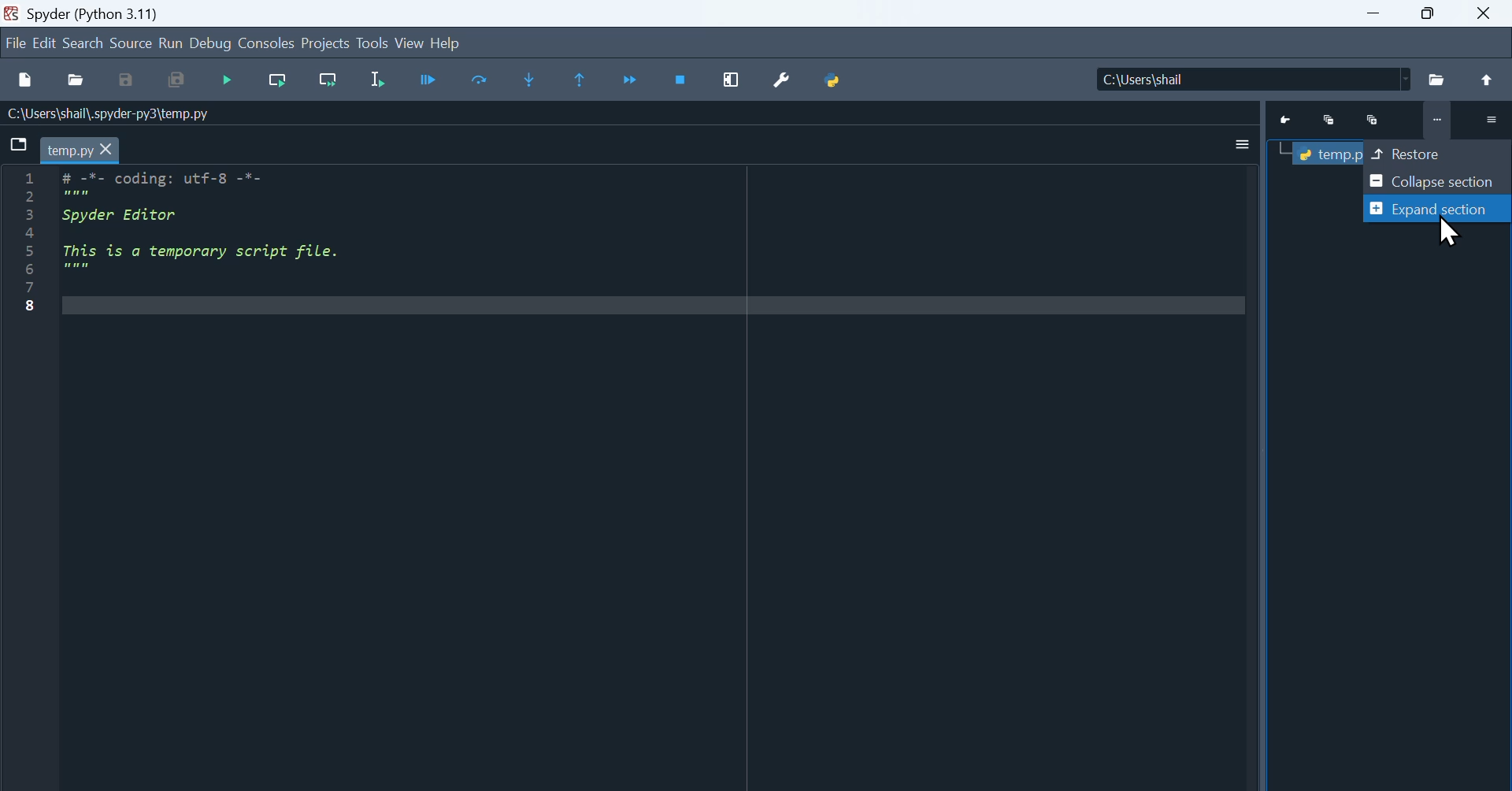 This screenshot has width=1512, height=791. I want to click on Maximize current window, so click(732, 80).